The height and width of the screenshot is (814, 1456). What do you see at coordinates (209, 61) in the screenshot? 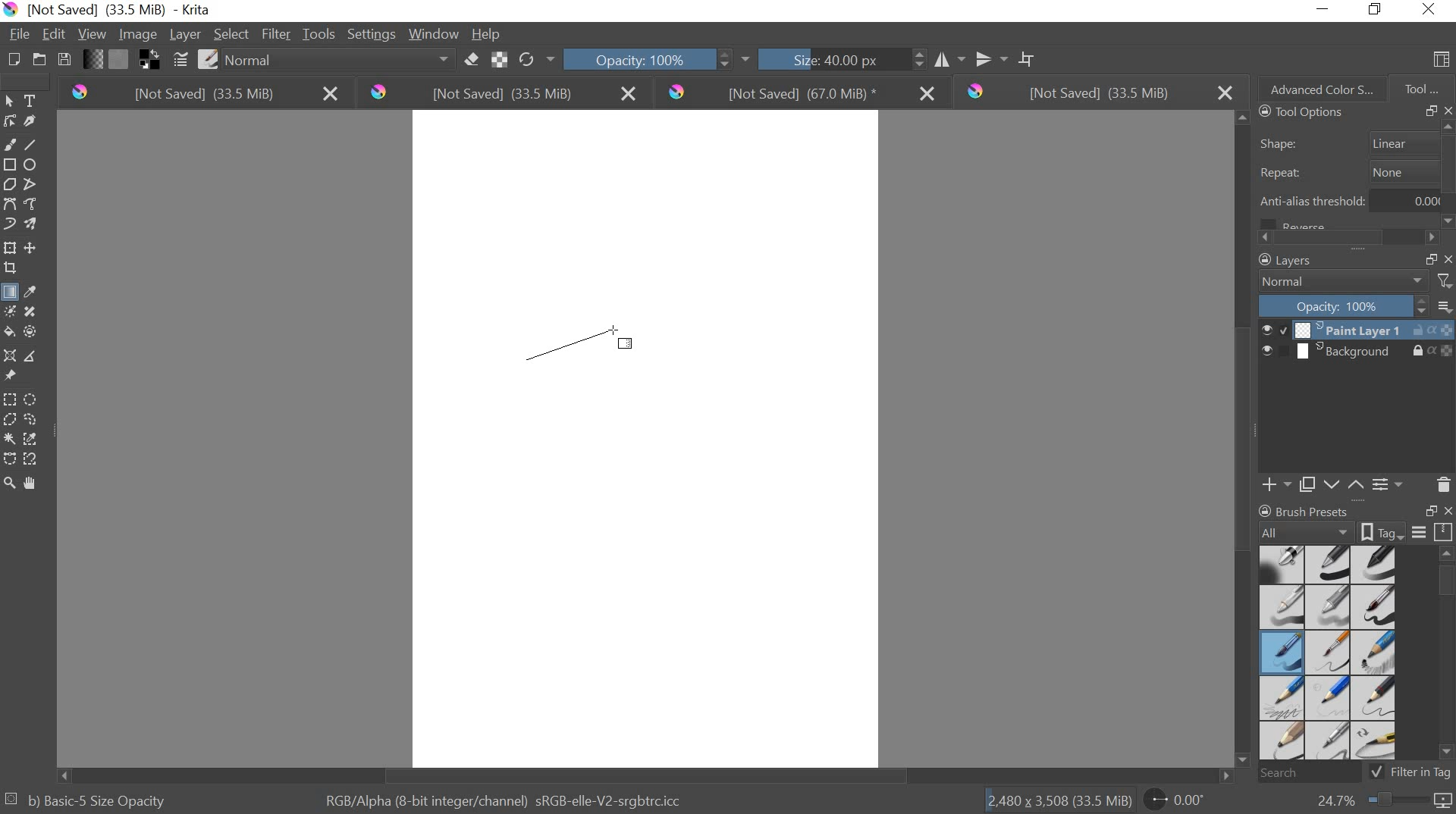
I see `CHOOSE BRUSH PRESET` at bounding box center [209, 61].